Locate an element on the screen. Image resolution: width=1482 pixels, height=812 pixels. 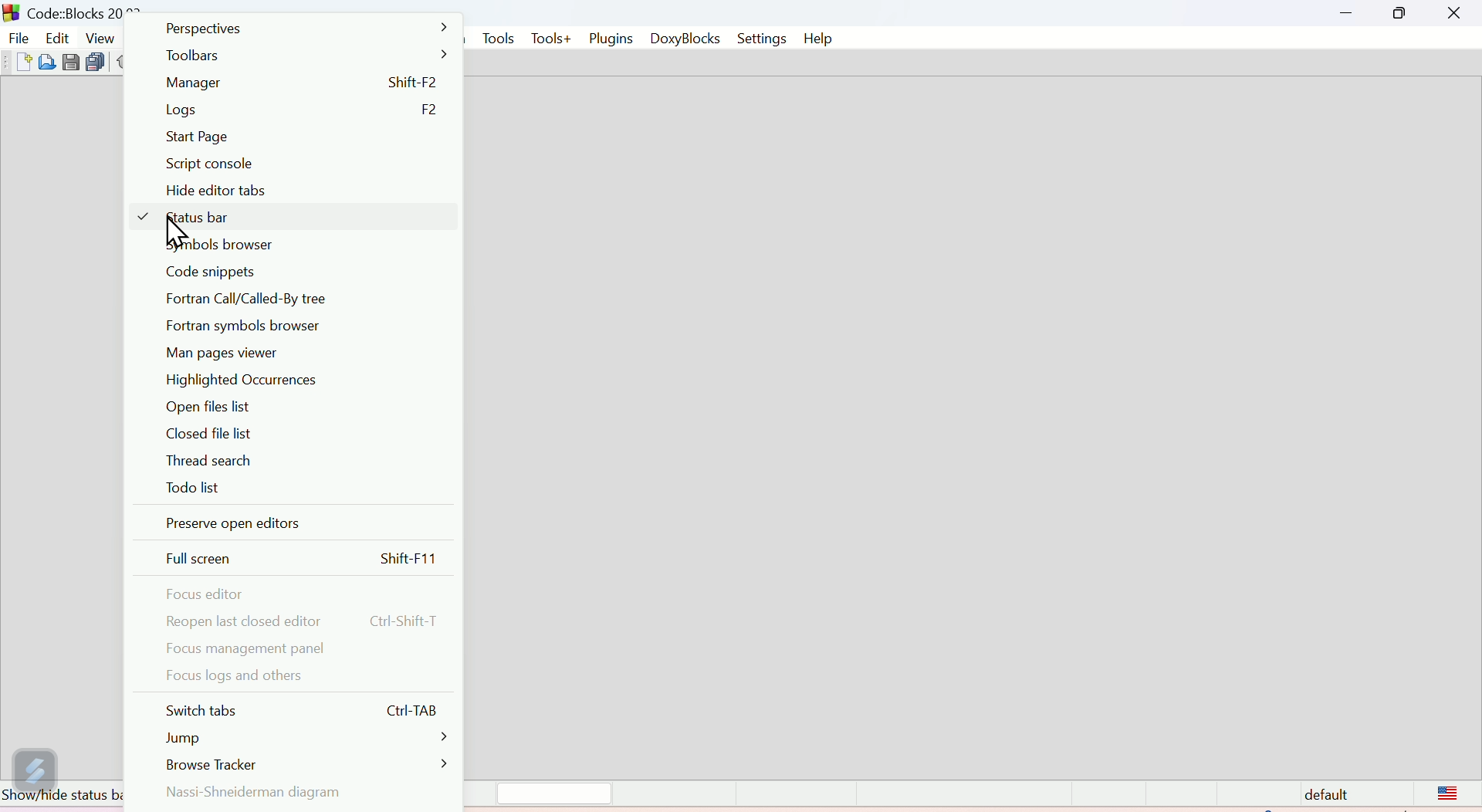
Status bar is located at coordinates (880, 794).